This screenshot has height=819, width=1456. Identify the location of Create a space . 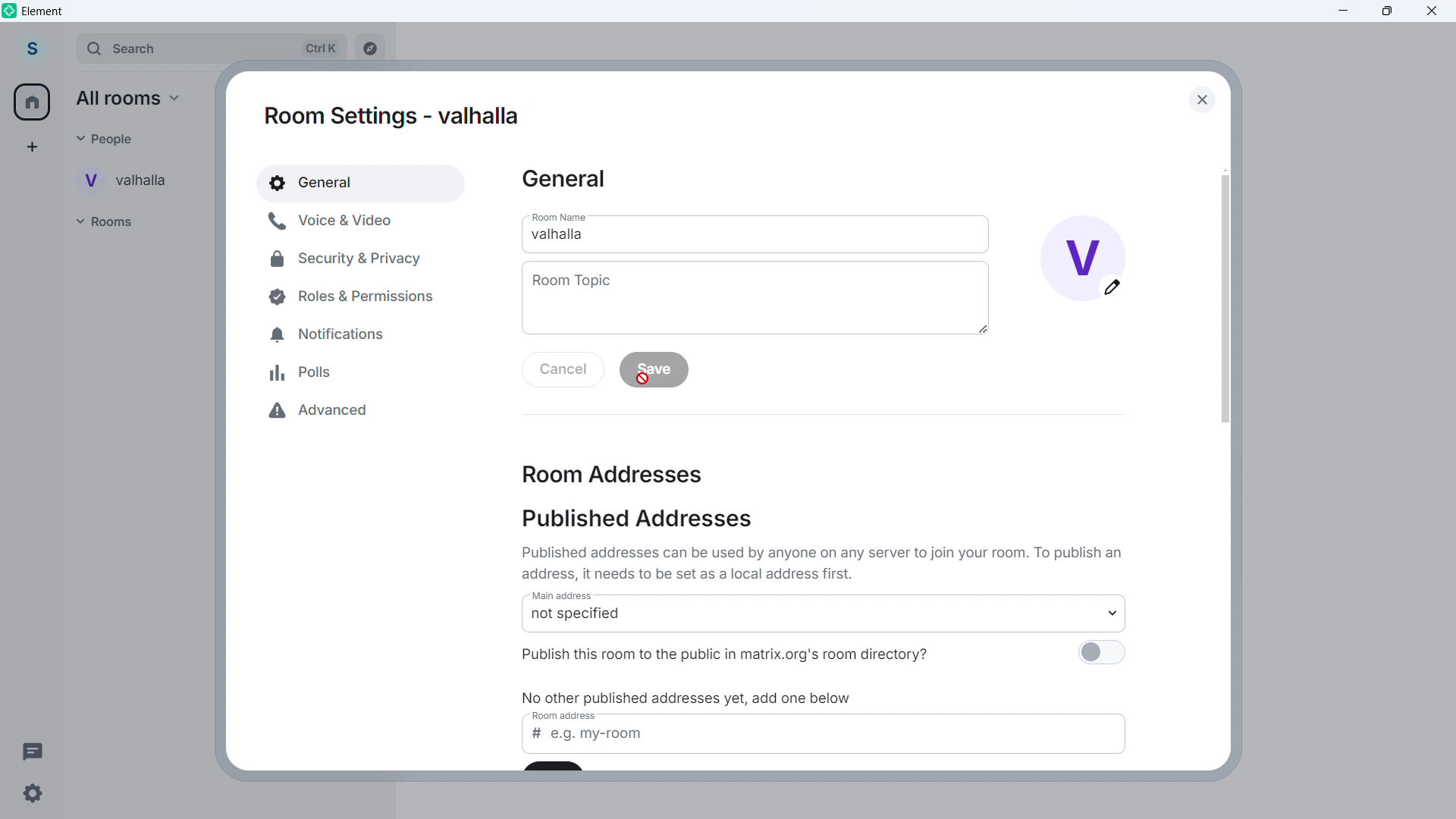
(31, 147).